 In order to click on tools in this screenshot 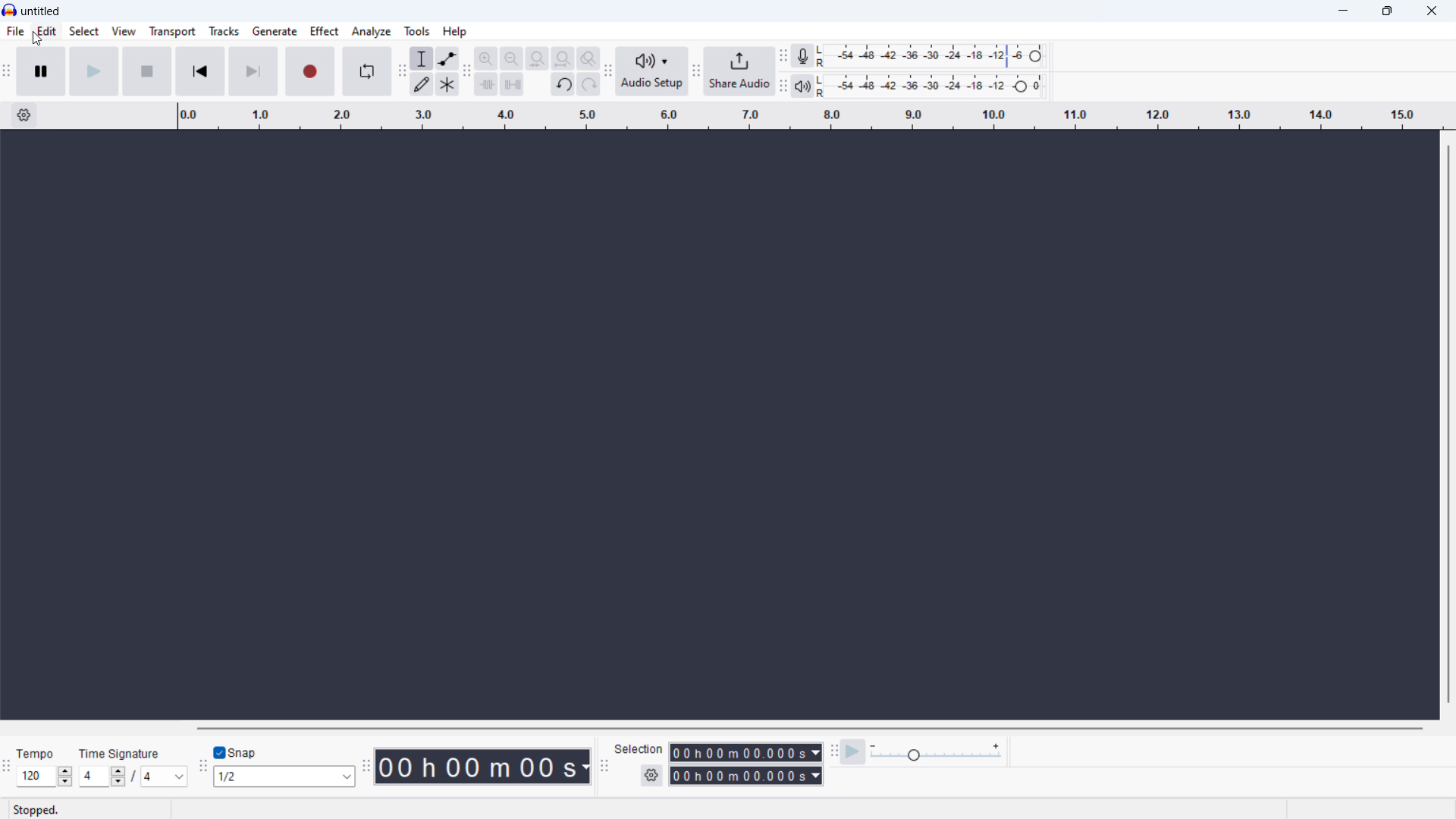, I will do `click(417, 31)`.